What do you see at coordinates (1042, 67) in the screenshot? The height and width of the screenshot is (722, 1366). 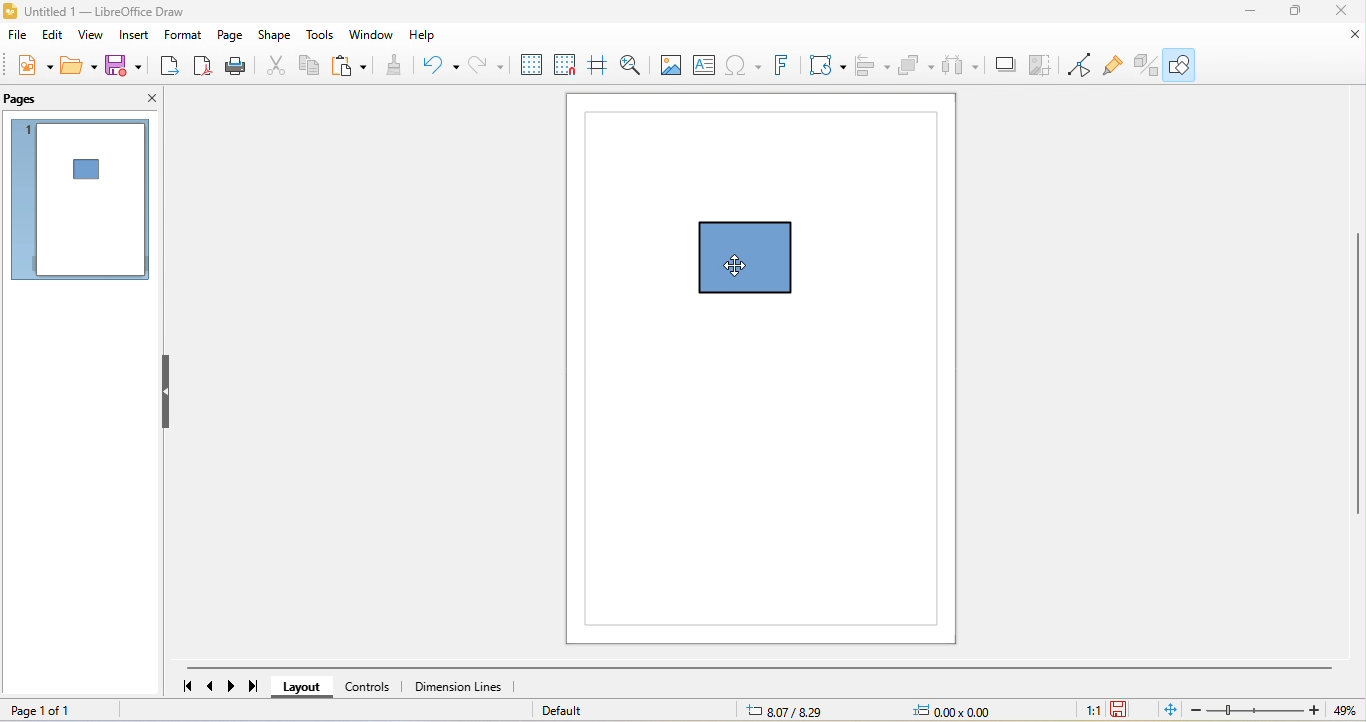 I see `crop image` at bounding box center [1042, 67].